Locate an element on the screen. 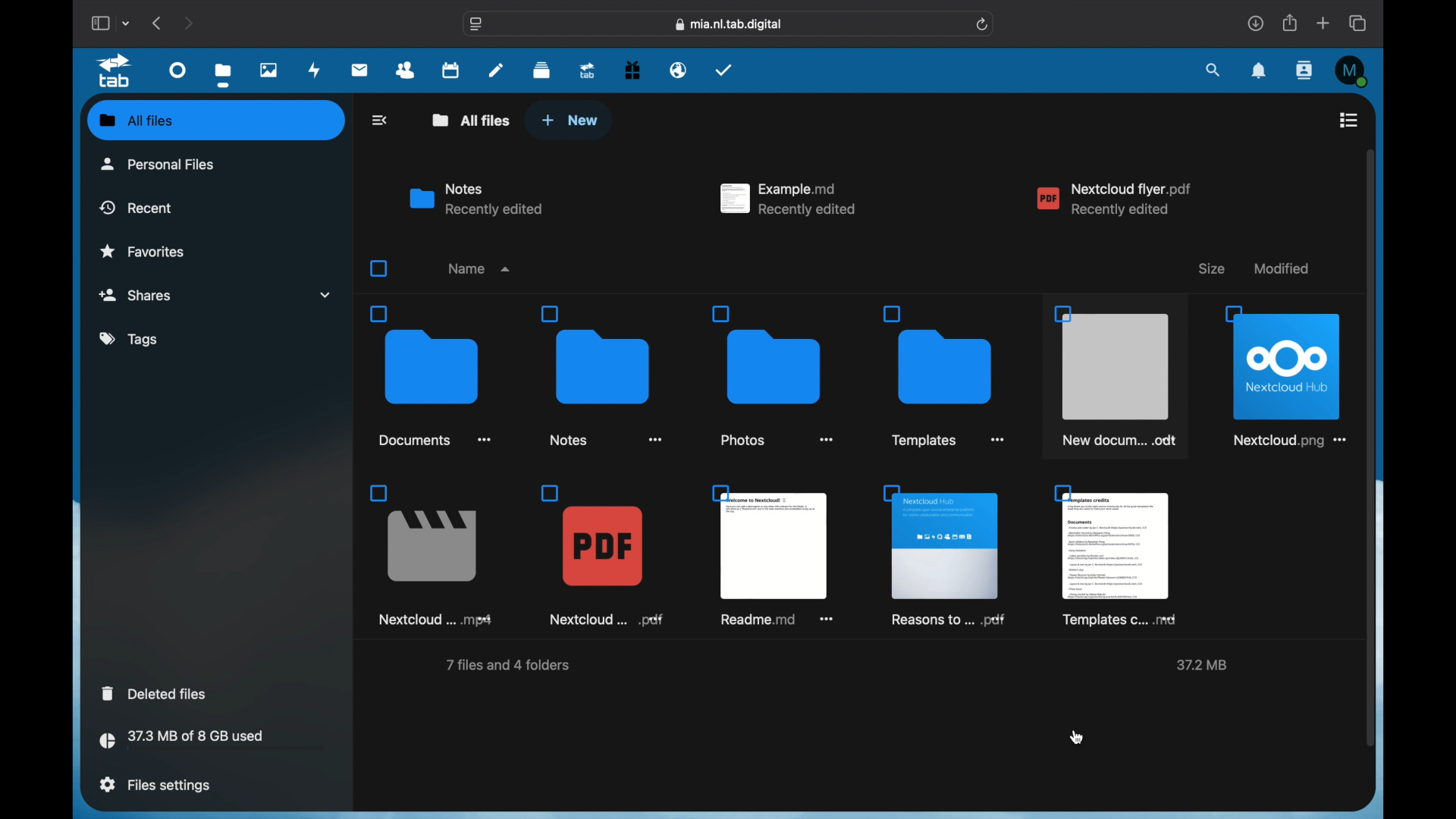 This screenshot has width=1456, height=819. personal files is located at coordinates (160, 168).